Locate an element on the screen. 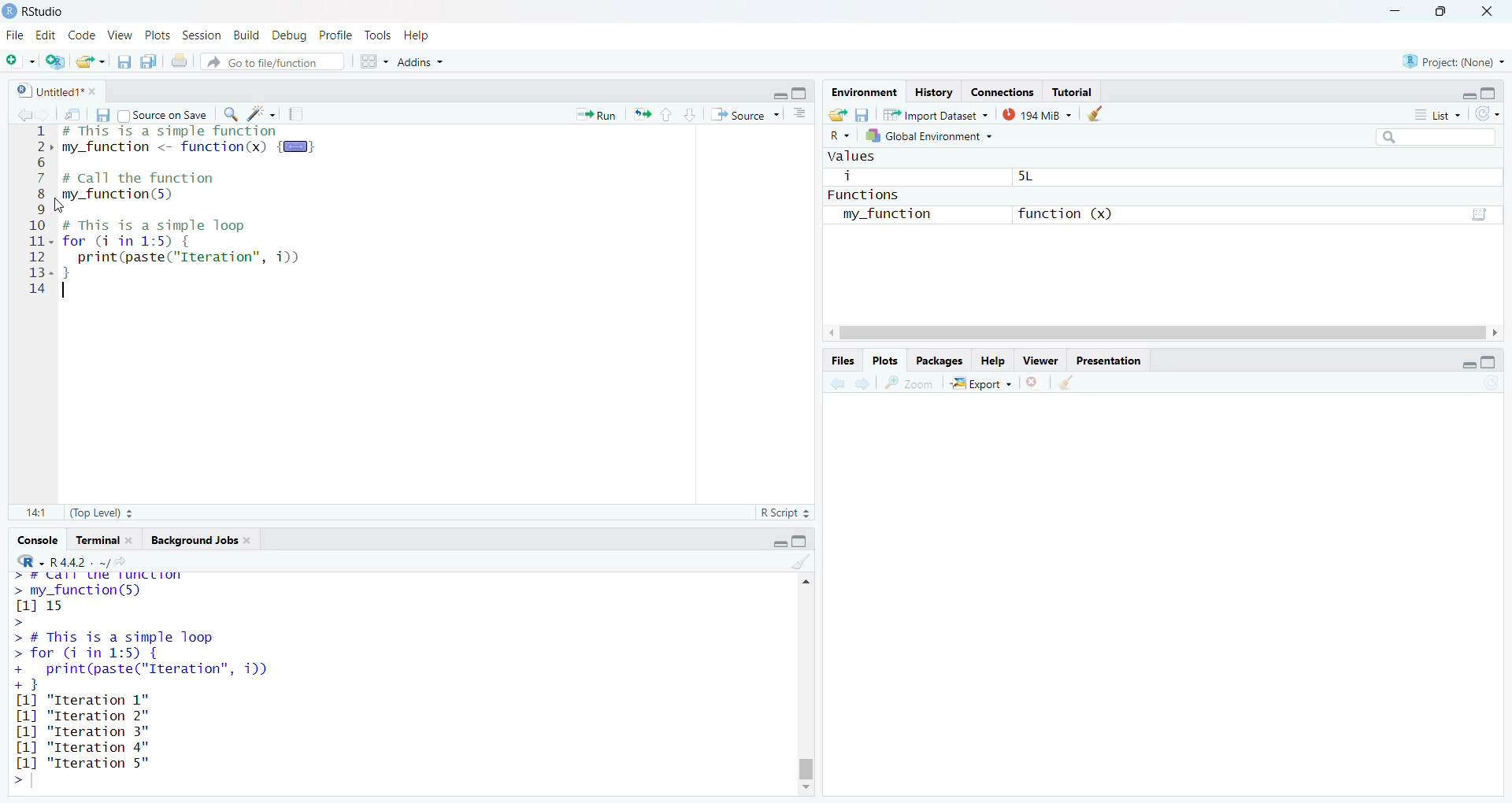  project: (None) is located at coordinates (1455, 62).